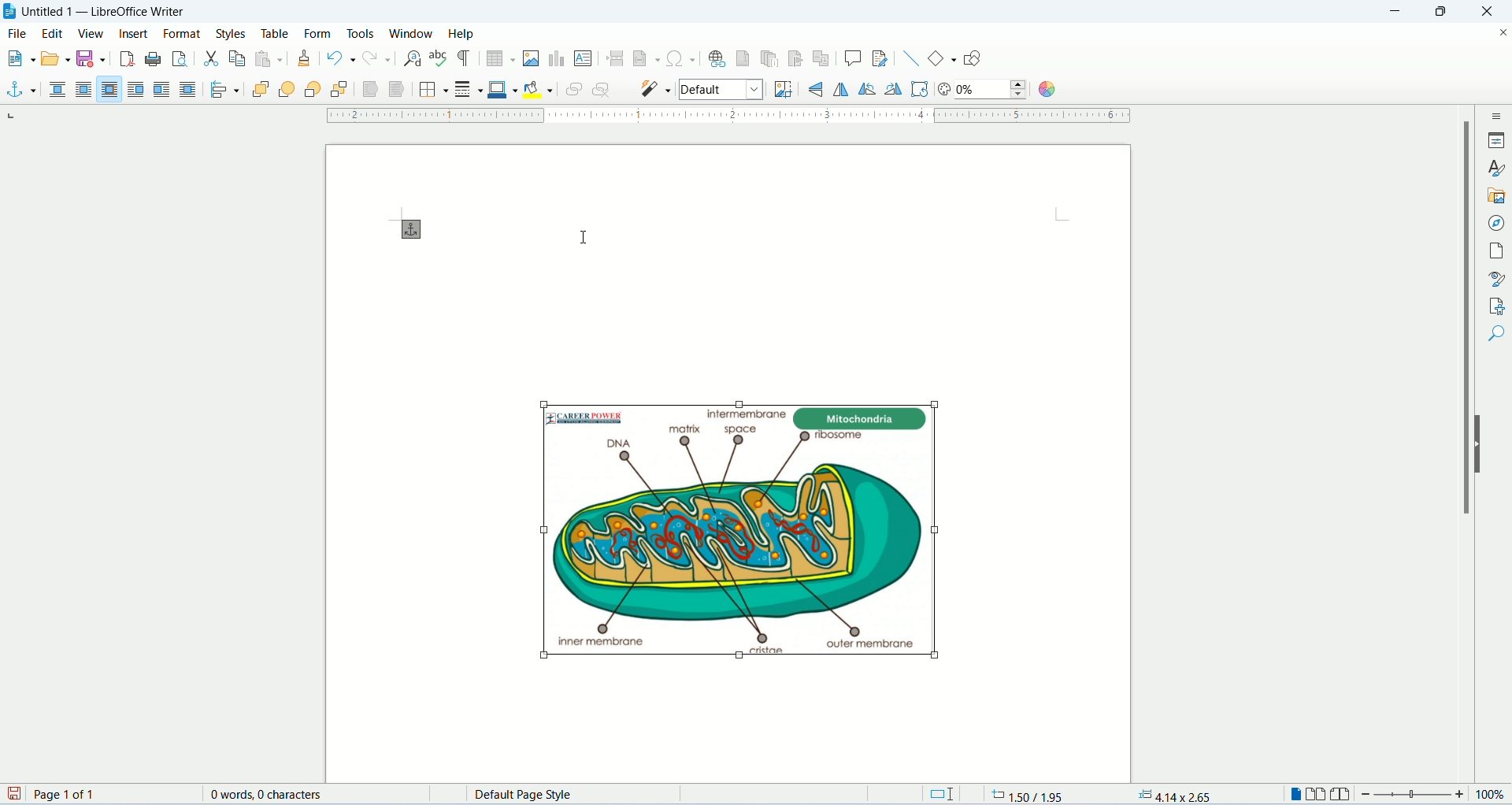 The height and width of the screenshot is (805, 1512). What do you see at coordinates (1488, 12) in the screenshot?
I see `close` at bounding box center [1488, 12].